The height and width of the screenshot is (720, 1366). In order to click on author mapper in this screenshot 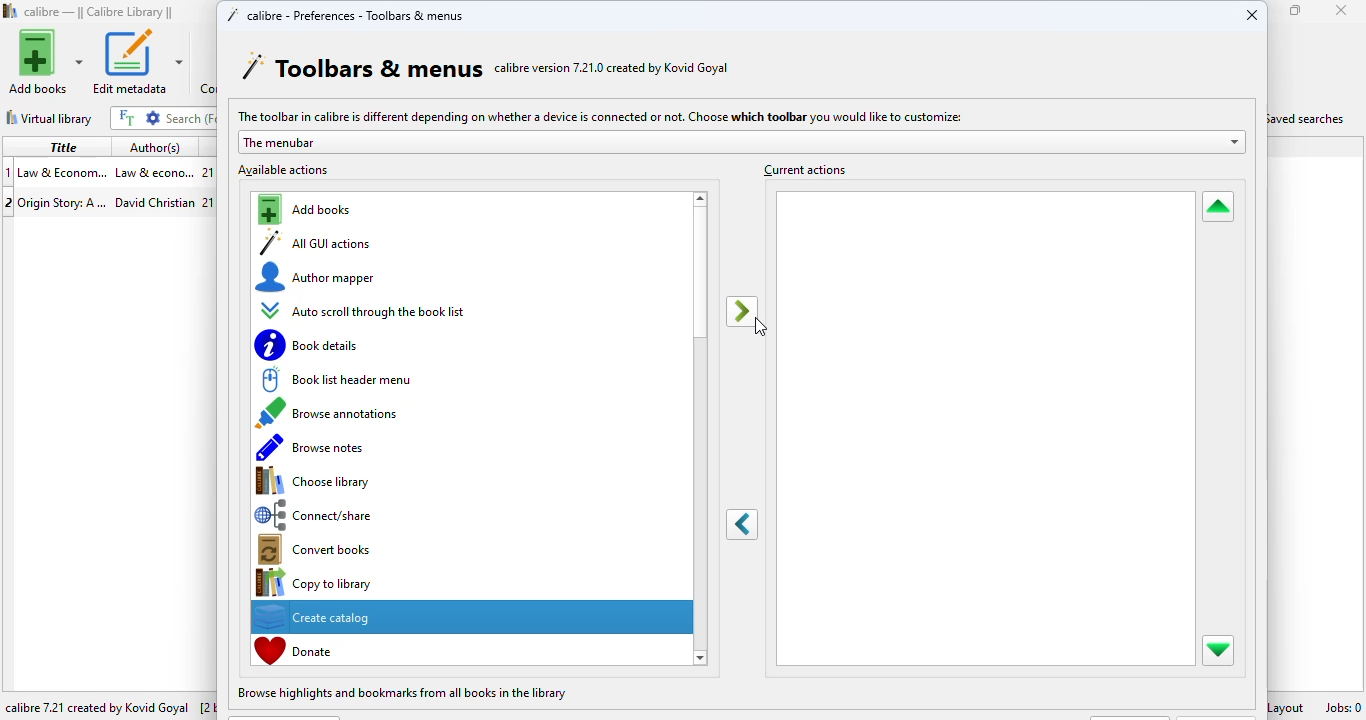, I will do `click(318, 276)`.